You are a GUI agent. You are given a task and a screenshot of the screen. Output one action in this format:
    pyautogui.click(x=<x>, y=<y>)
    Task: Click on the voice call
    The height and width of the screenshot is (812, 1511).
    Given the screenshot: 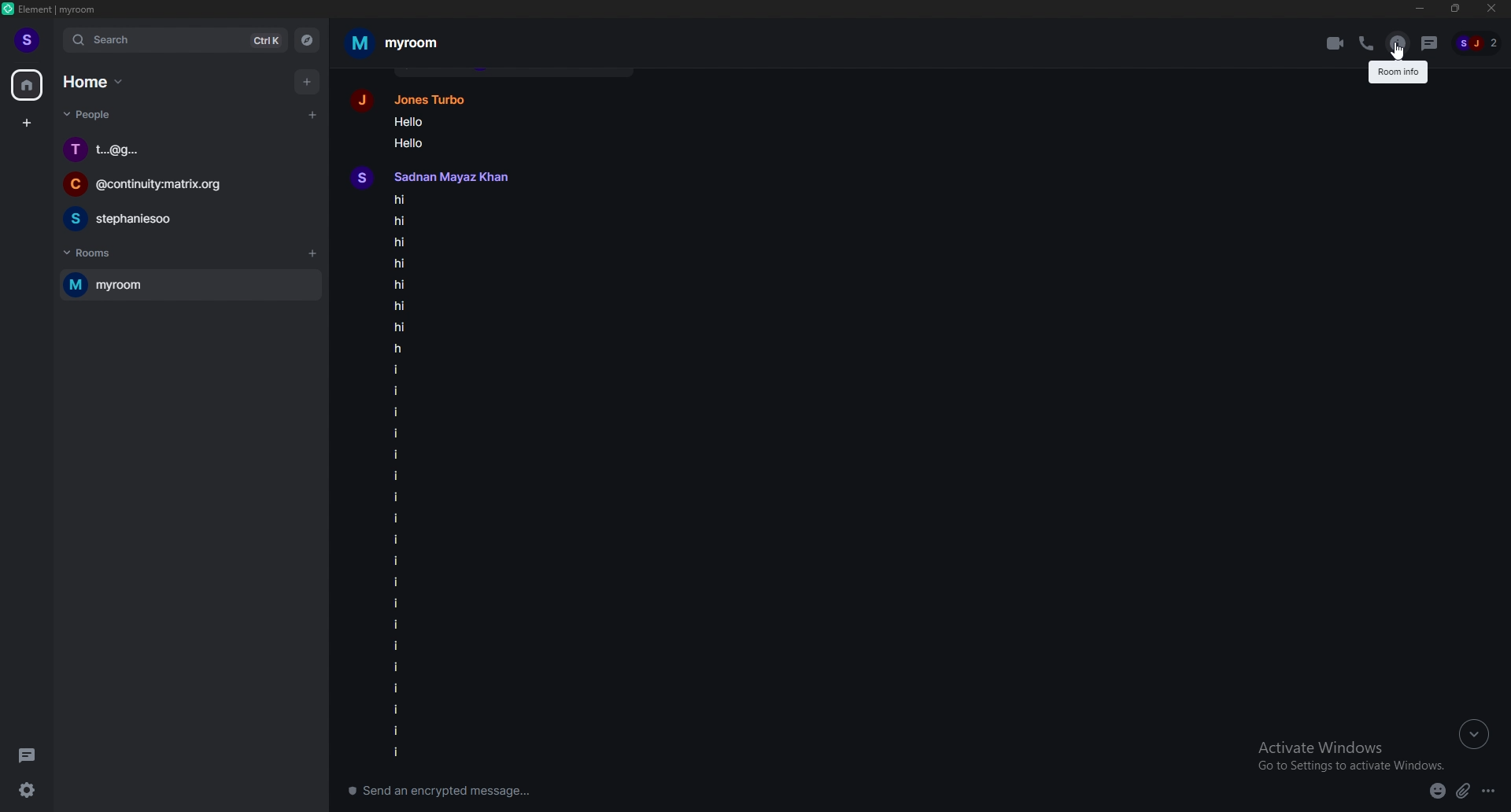 What is the action you would take?
    pyautogui.click(x=1368, y=44)
    